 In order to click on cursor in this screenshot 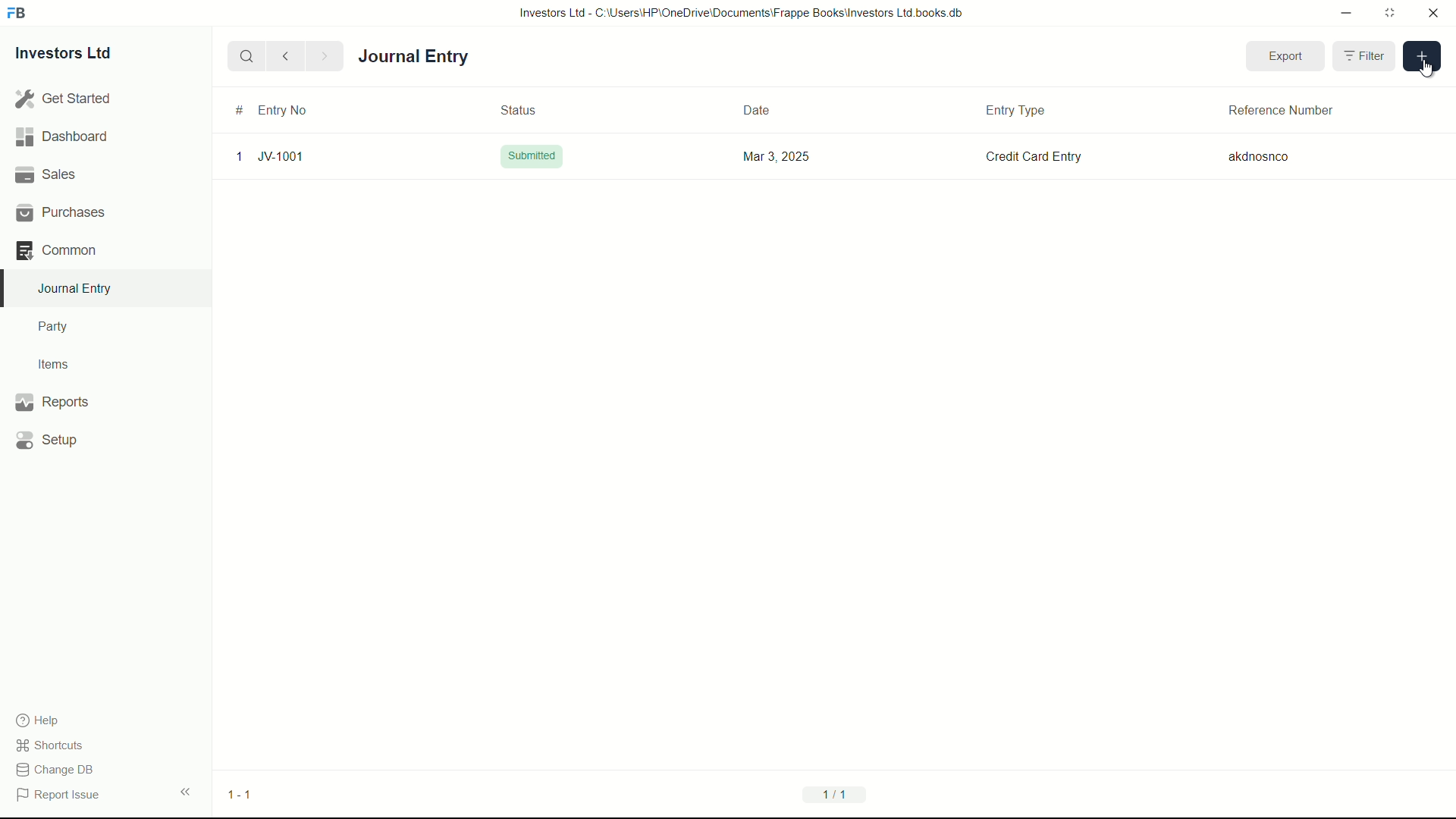, I will do `click(1423, 71)`.